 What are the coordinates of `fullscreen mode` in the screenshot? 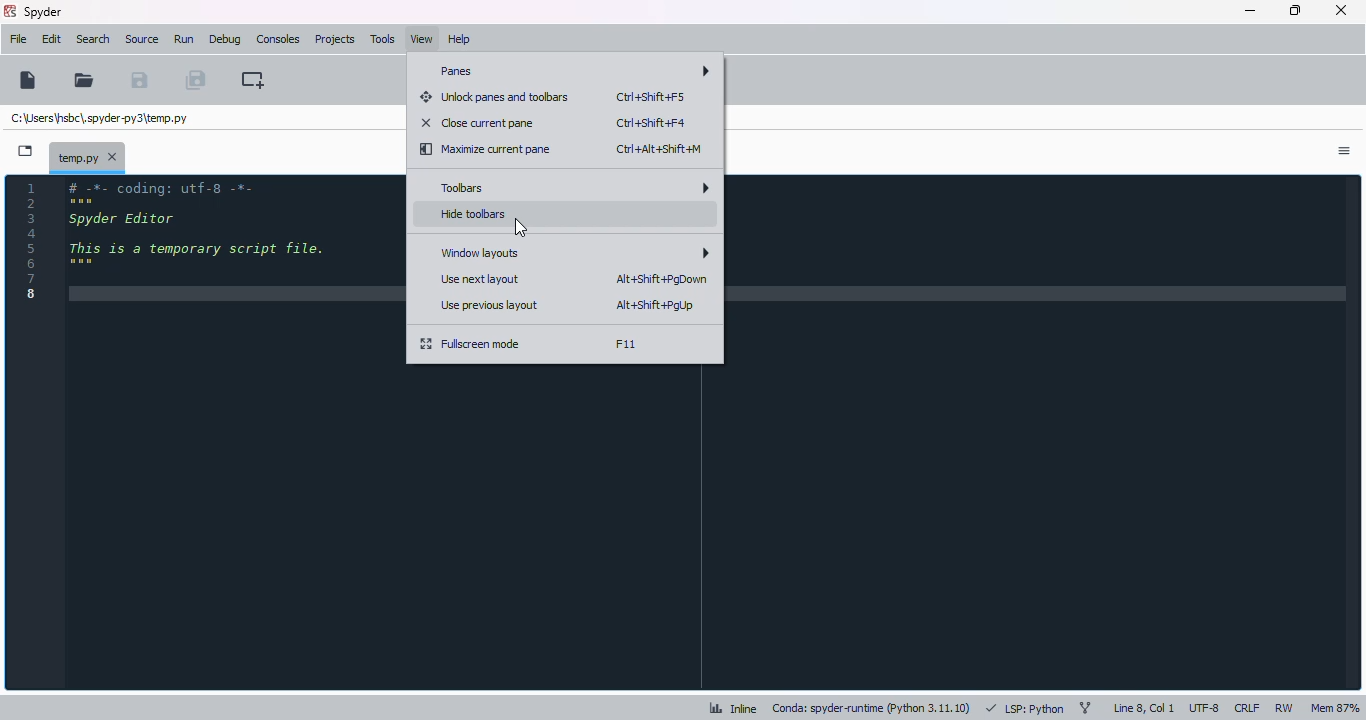 It's located at (469, 343).